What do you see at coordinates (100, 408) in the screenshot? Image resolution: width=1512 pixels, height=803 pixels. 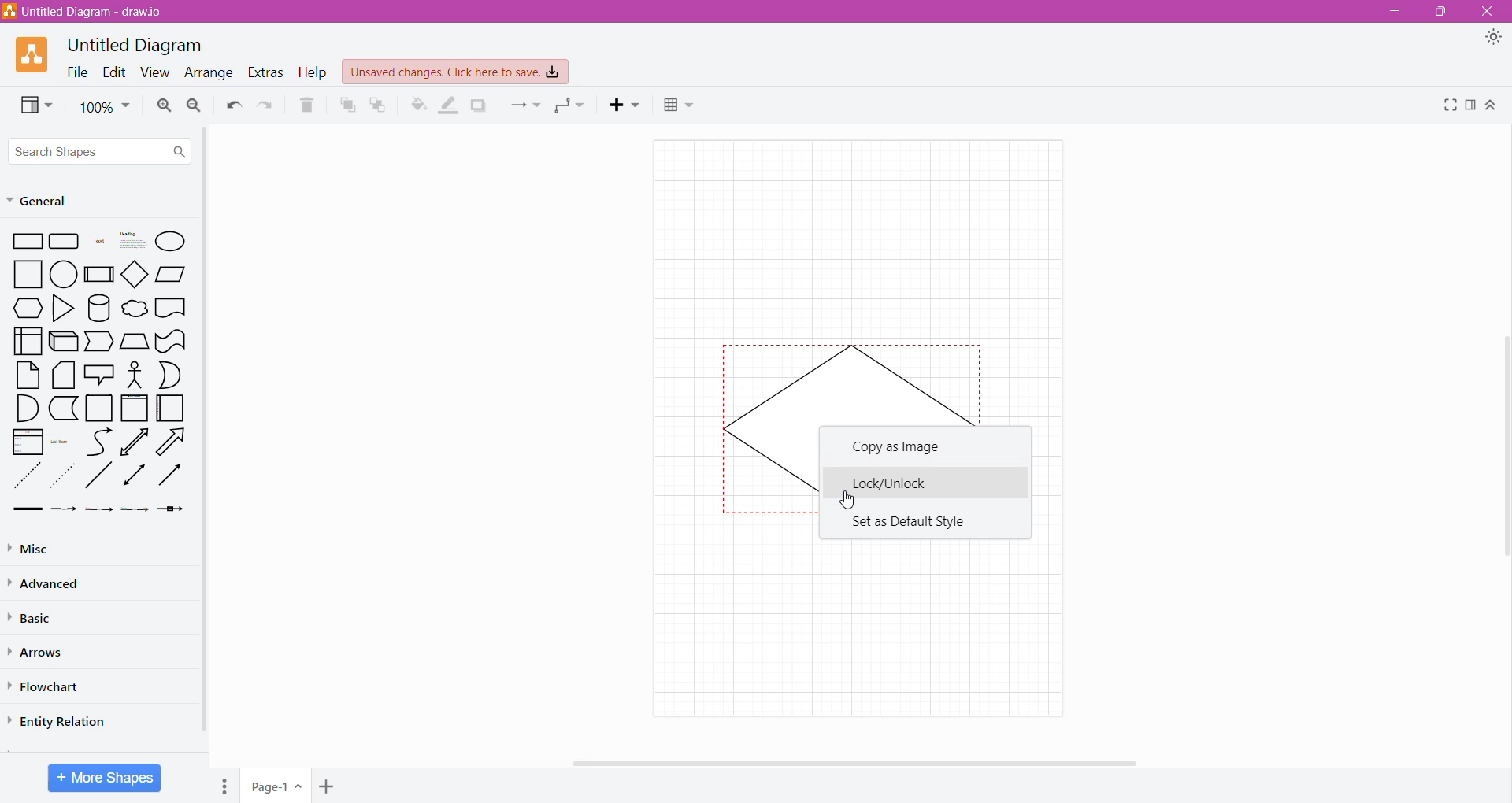 I see `Container` at bounding box center [100, 408].